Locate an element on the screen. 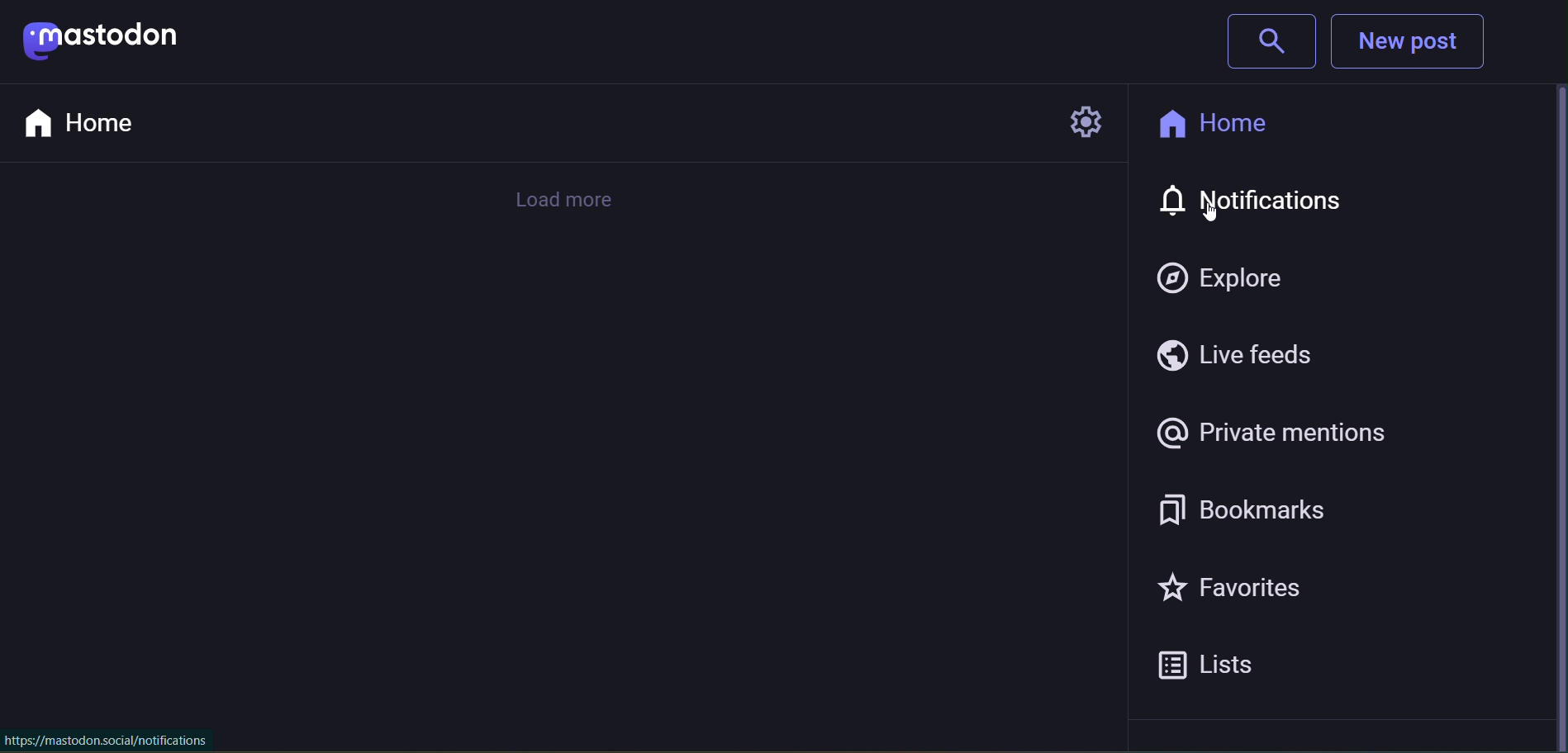 Image resolution: width=1568 pixels, height=753 pixels. cursor is located at coordinates (1214, 223).